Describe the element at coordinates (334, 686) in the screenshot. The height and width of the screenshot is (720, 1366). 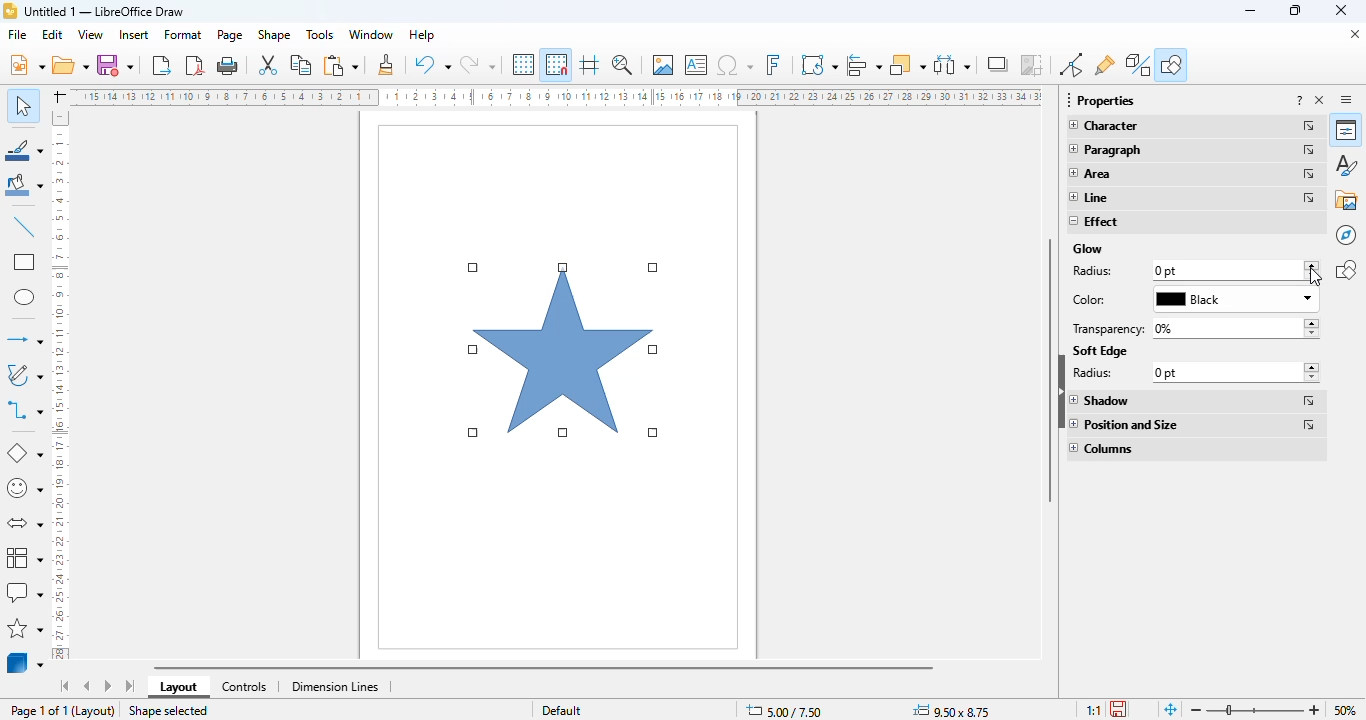
I see `dimension lines` at that location.